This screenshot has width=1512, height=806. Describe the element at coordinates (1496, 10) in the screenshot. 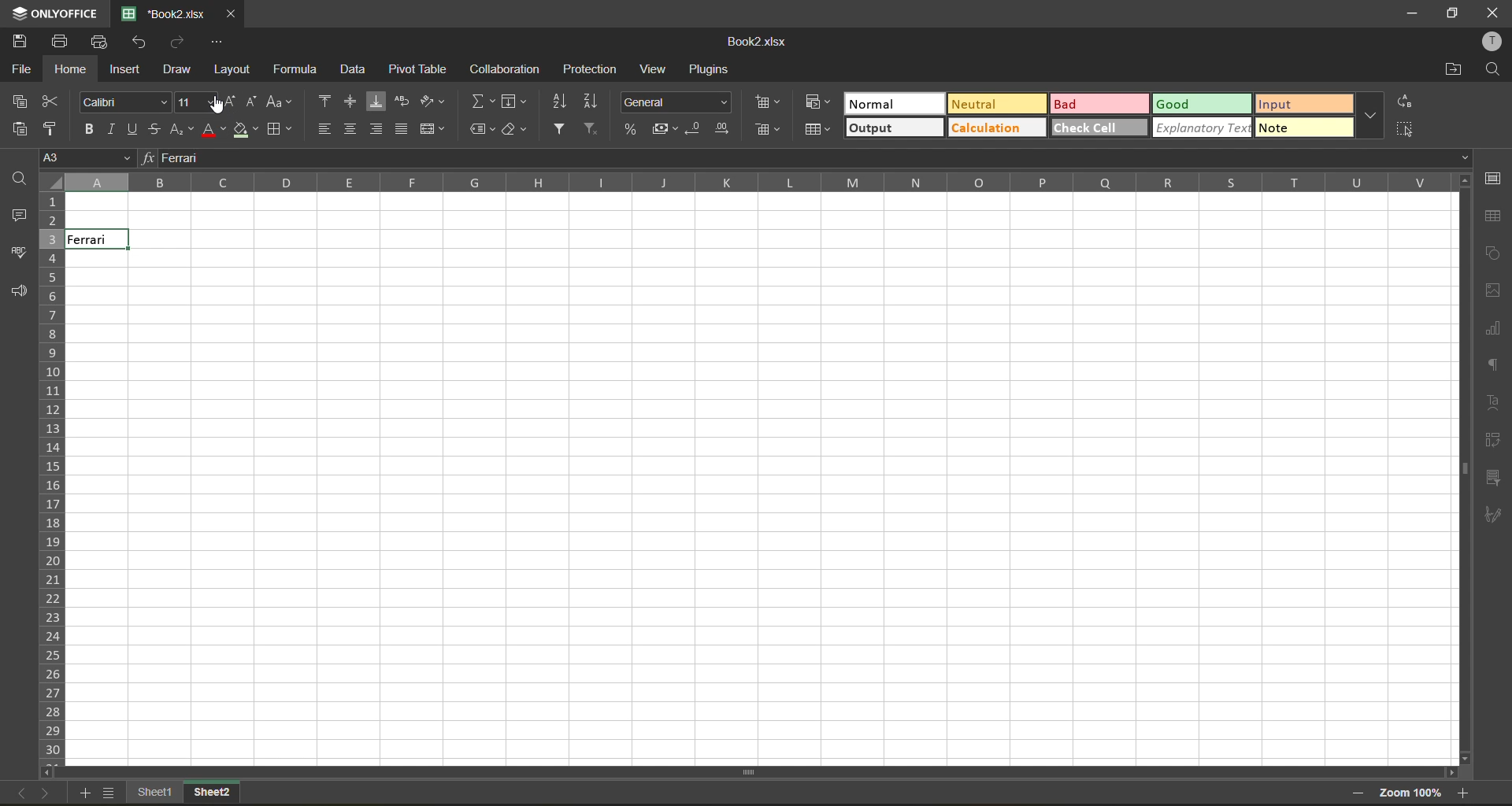

I see `close` at that location.